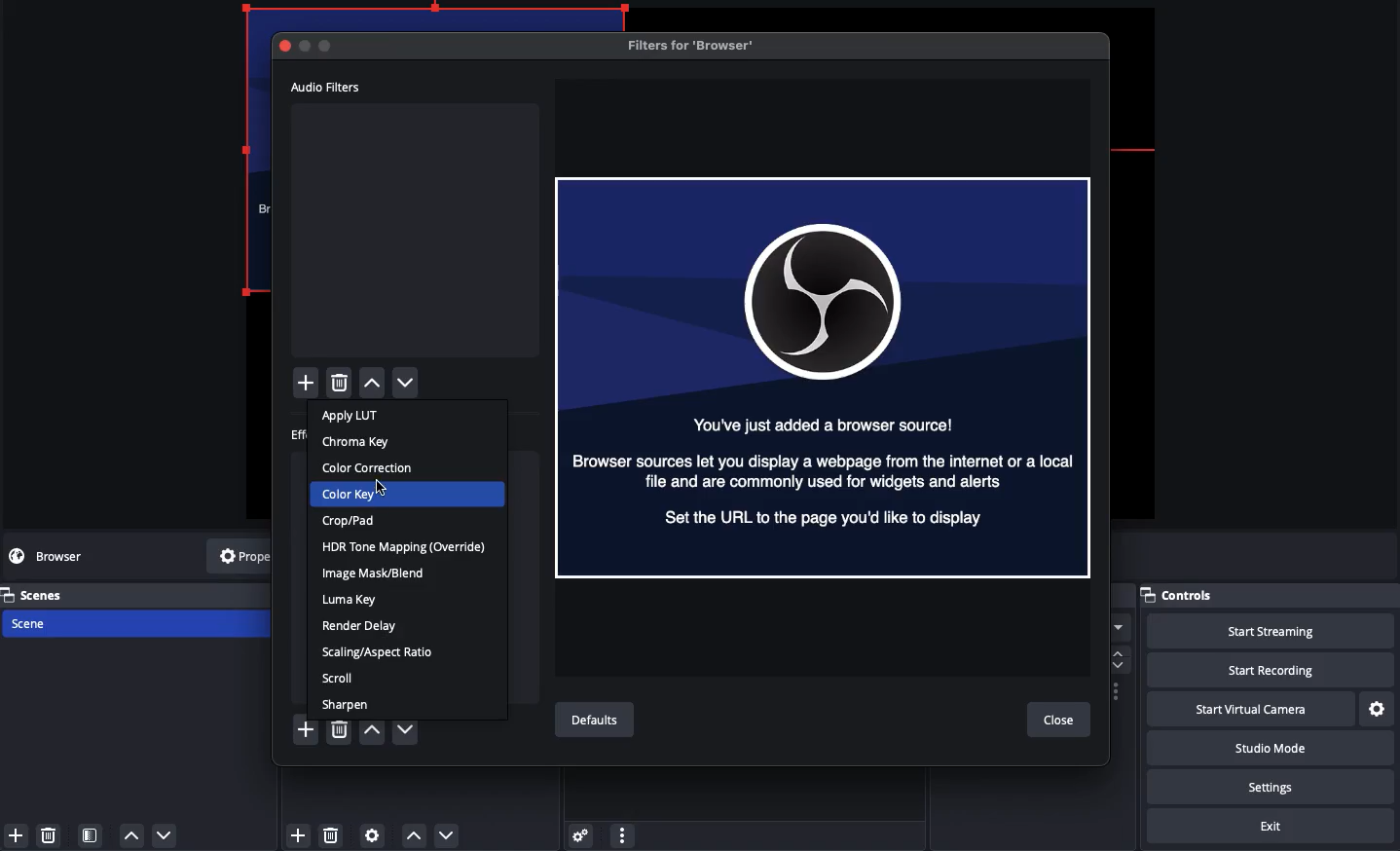  Describe the element at coordinates (374, 834) in the screenshot. I see `Source preferences` at that location.